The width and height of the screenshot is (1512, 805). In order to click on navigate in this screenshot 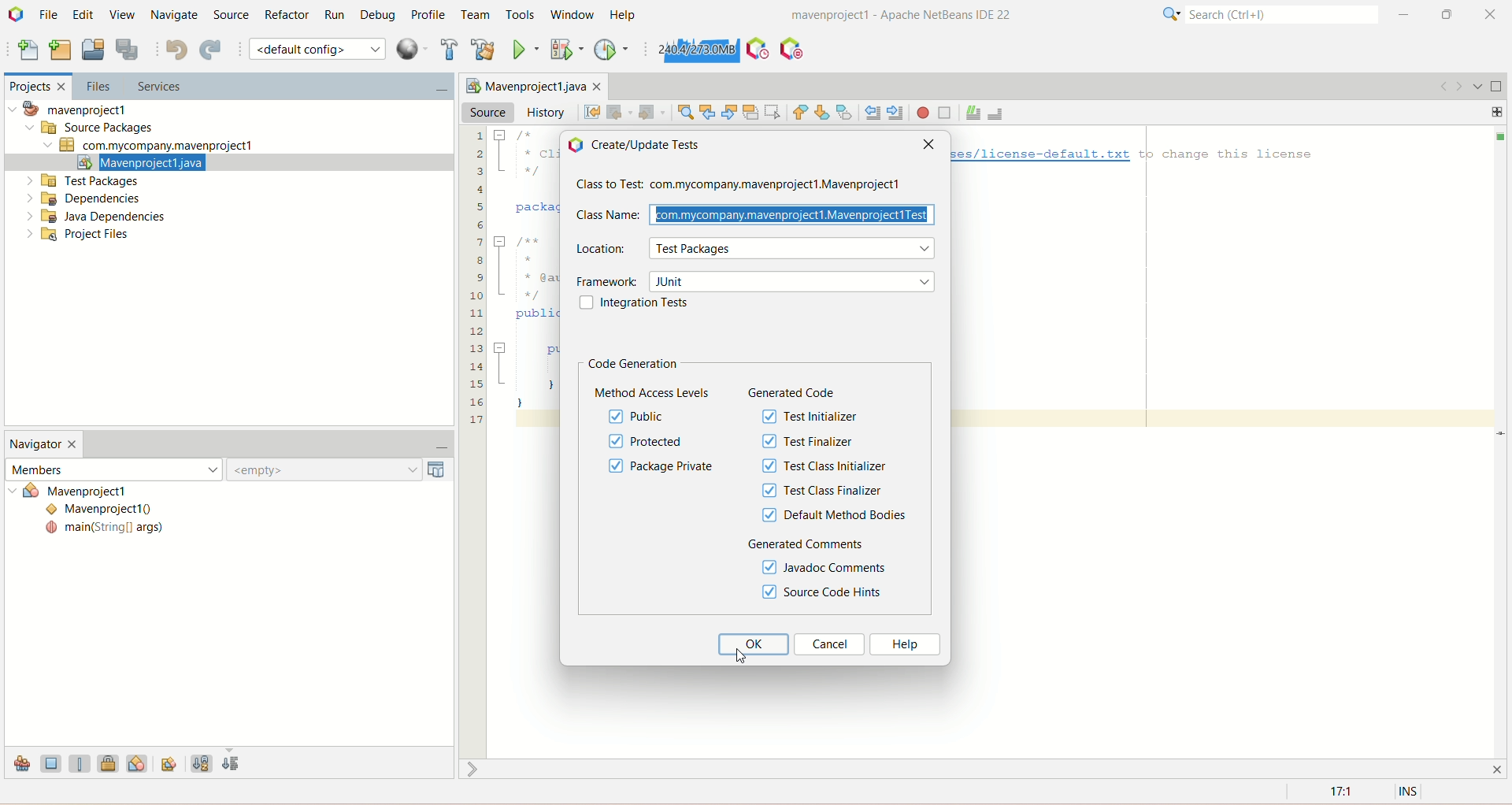, I will do `click(173, 16)`.